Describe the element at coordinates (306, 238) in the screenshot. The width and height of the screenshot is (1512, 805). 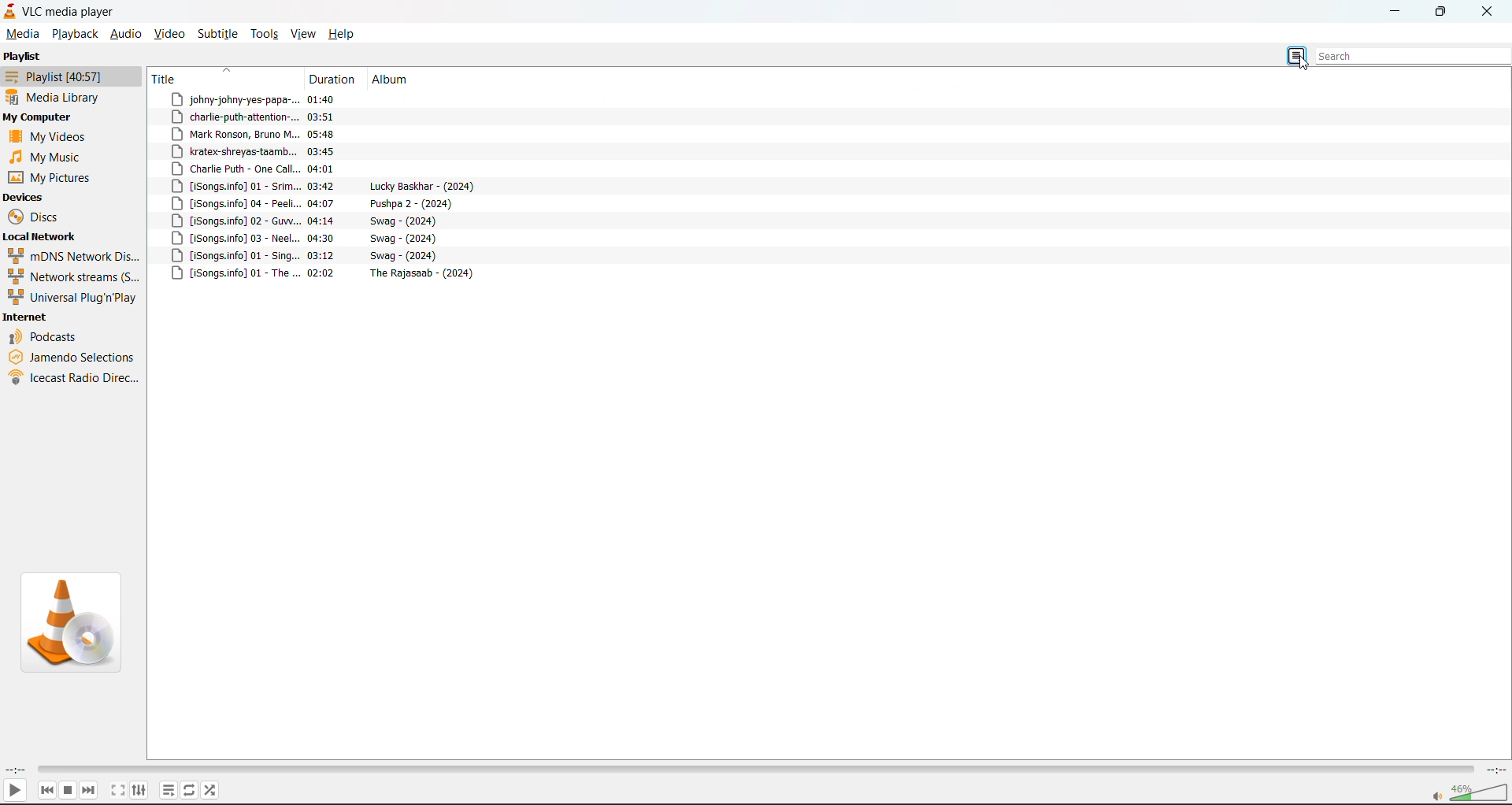
I see `track title with duration and album details` at that location.